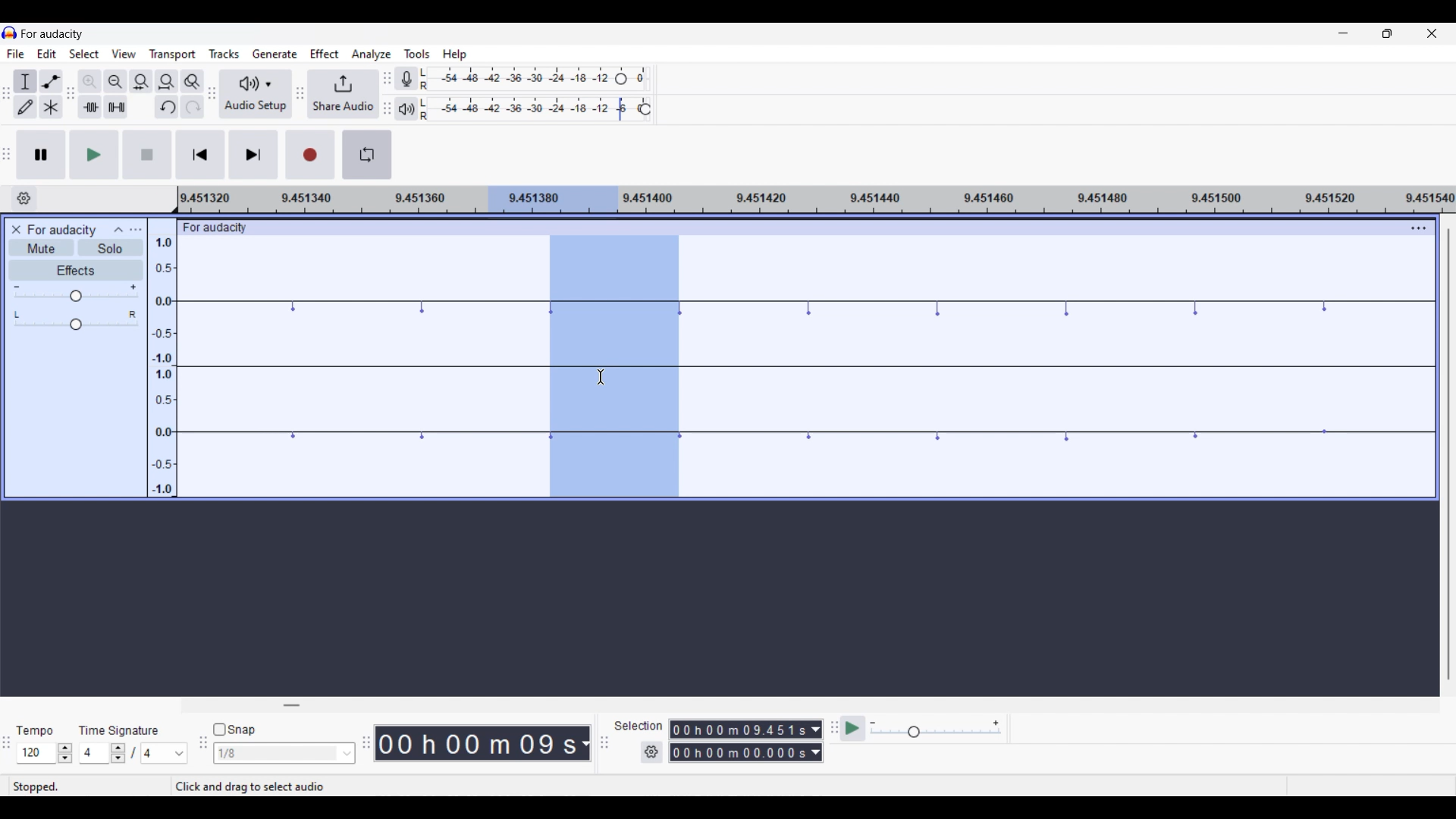 The width and height of the screenshot is (1456, 819). Describe the element at coordinates (284, 753) in the screenshot. I see `Snap toggle options` at that location.